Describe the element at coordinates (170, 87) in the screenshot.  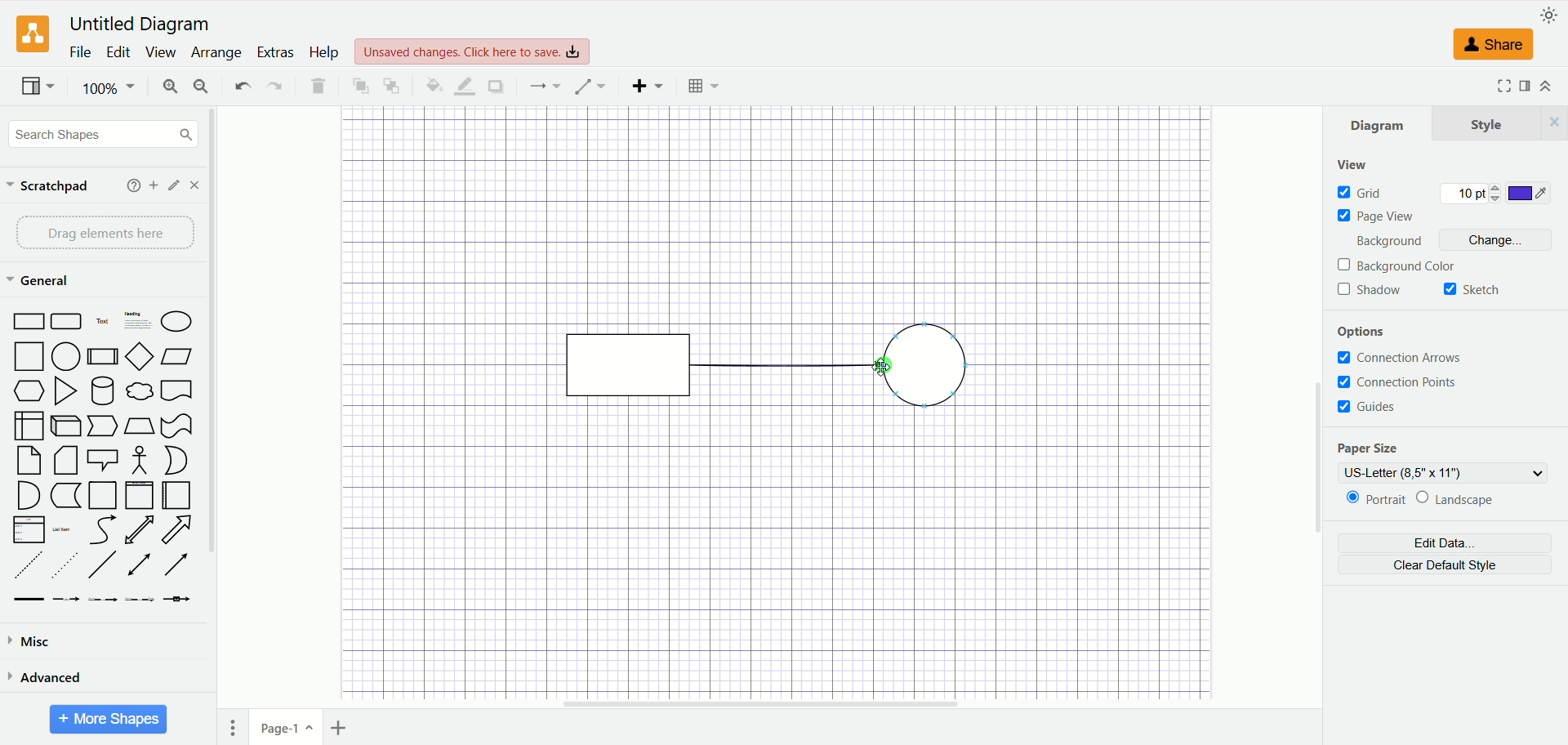
I see `zoom in` at that location.